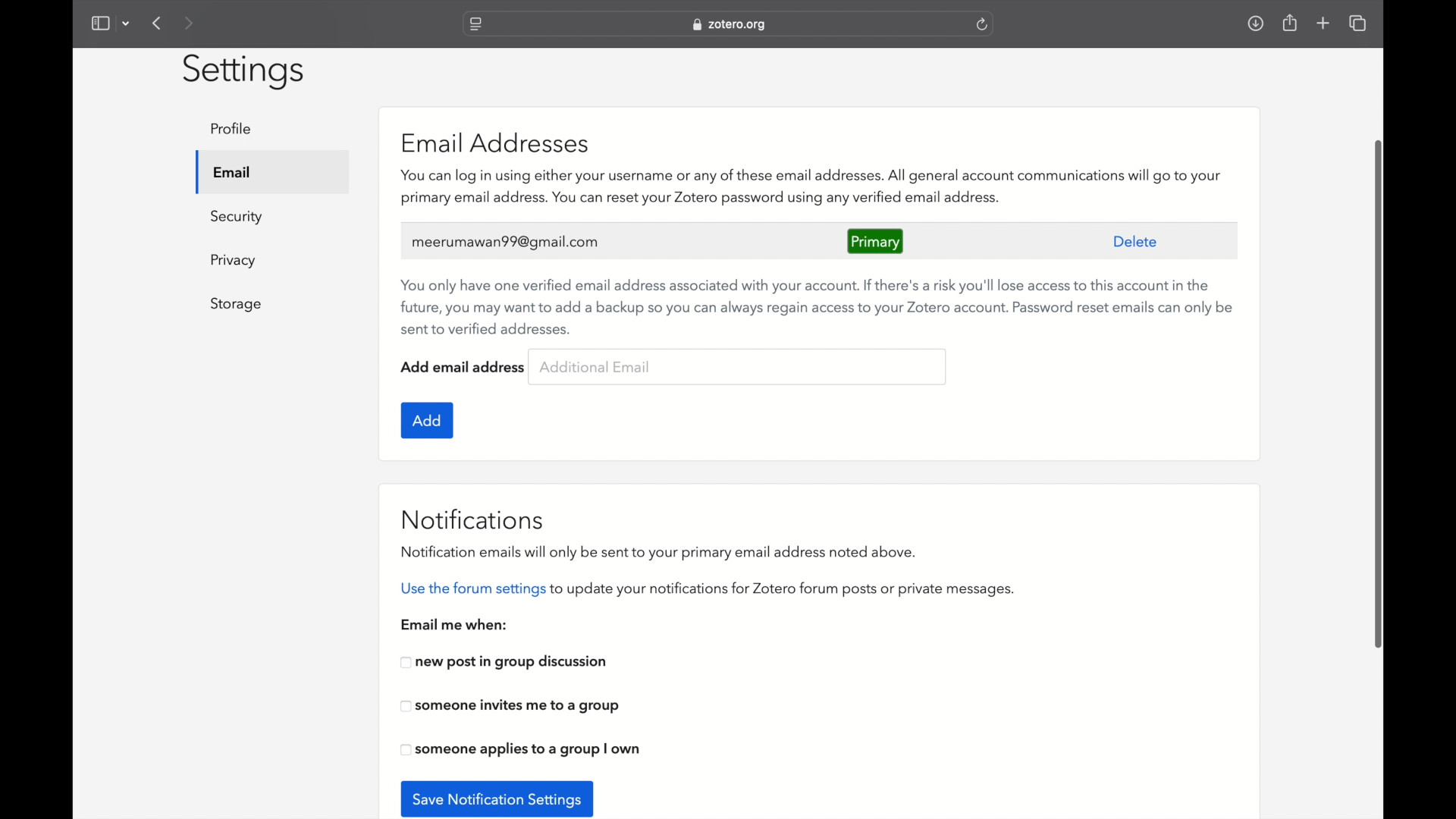 Image resolution: width=1456 pixels, height=819 pixels. I want to click on recommendation to use verified backup email addresses, so click(817, 309).